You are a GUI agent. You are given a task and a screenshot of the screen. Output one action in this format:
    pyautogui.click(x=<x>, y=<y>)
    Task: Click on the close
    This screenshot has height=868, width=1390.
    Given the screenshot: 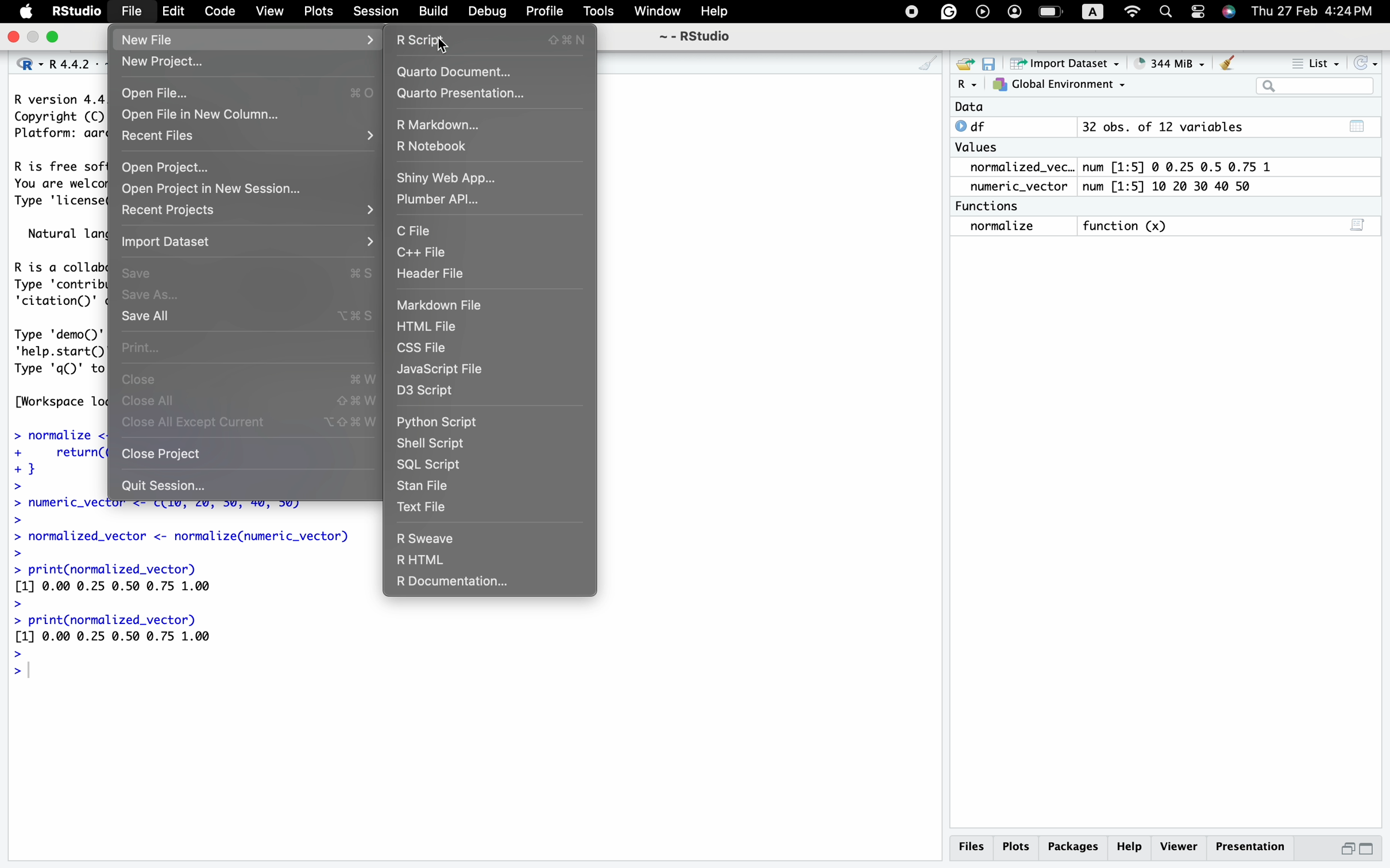 What is the action you would take?
    pyautogui.click(x=11, y=38)
    